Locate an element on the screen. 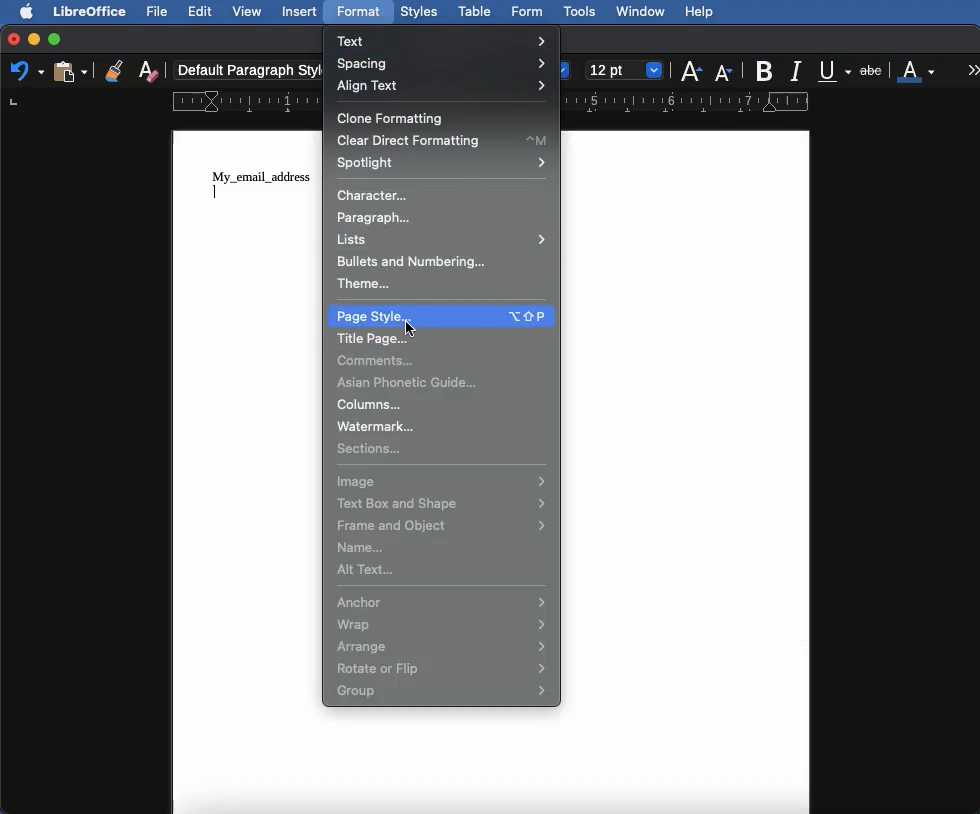 The height and width of the screenshot is (814, 980). More is located at coordinates (974, 69).